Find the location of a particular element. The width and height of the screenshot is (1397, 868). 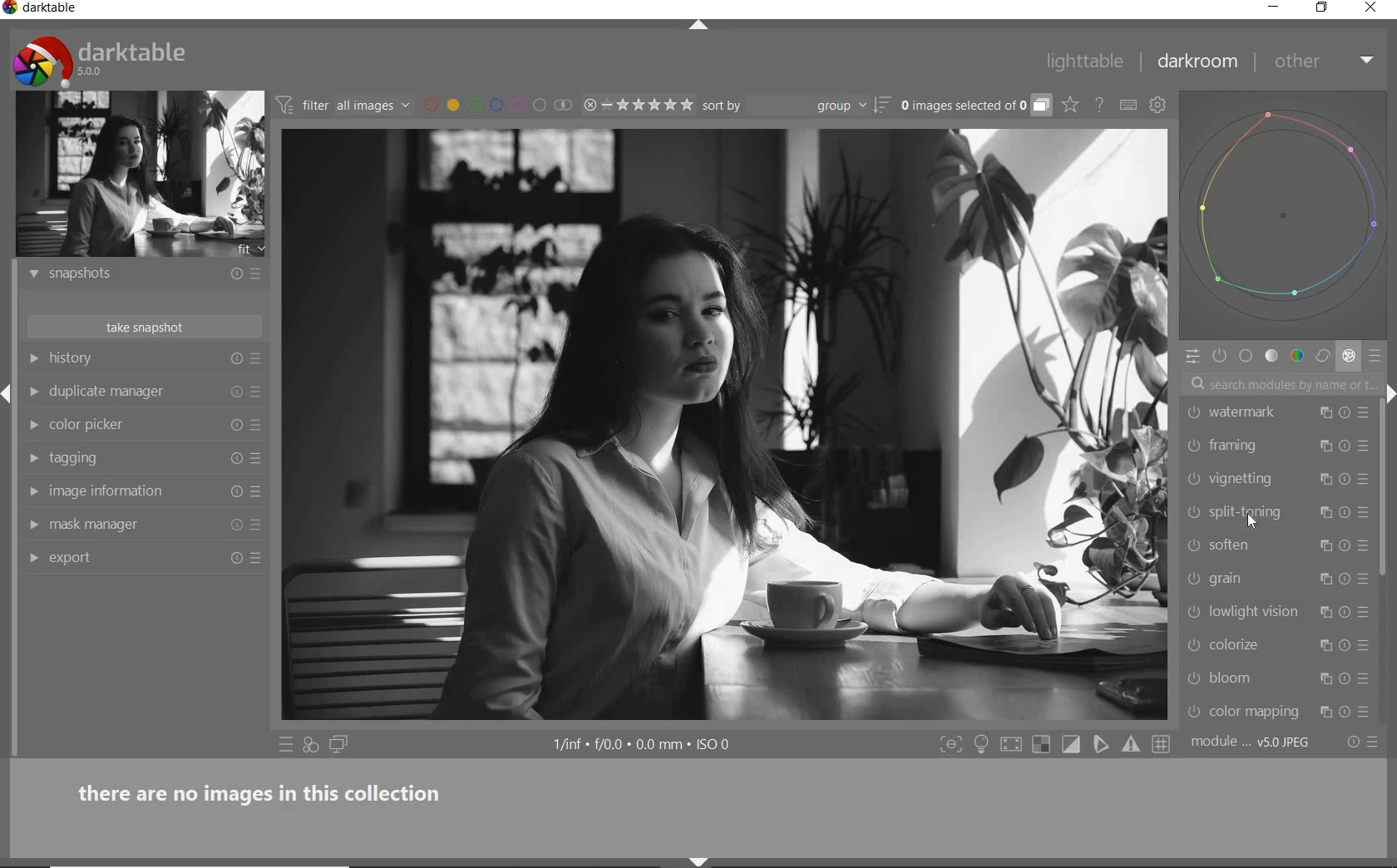

reset is located at coordinates (1345, 678).